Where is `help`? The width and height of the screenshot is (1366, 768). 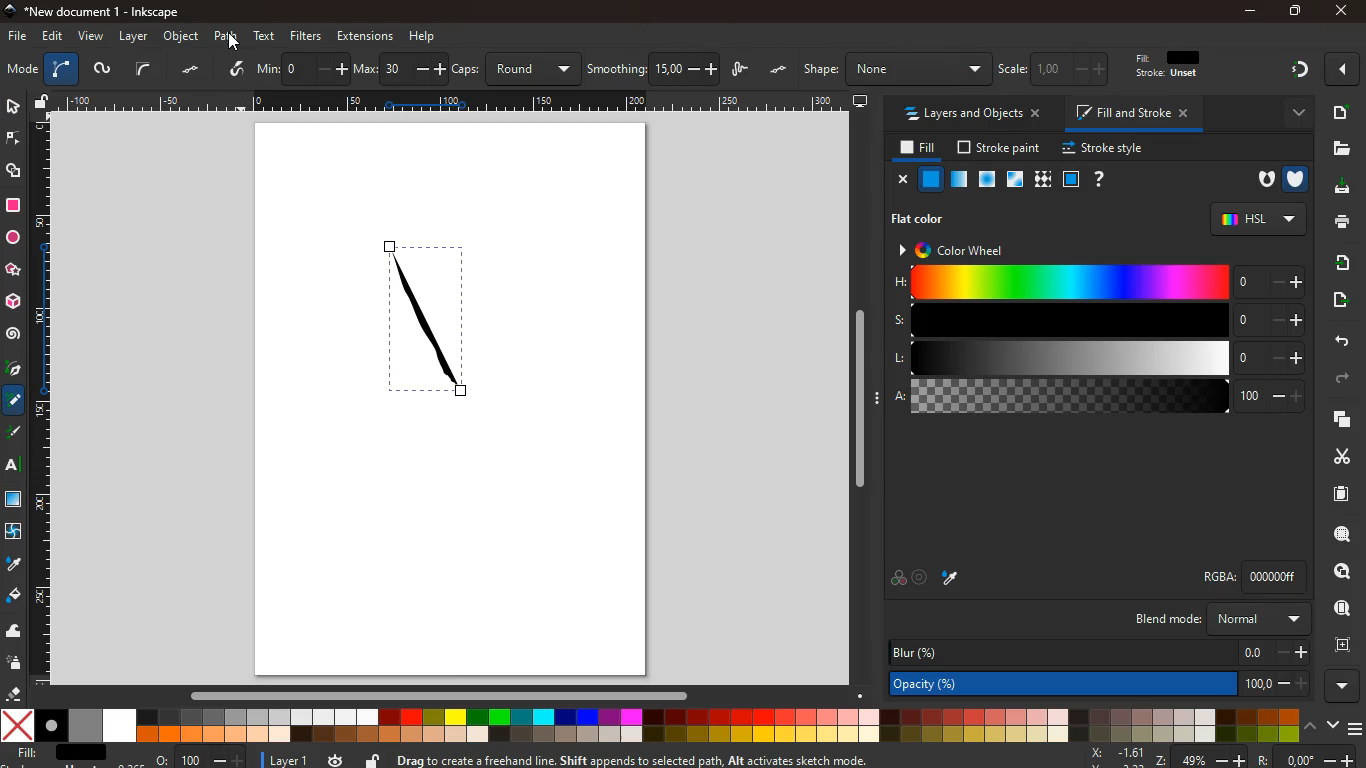
help is located at coordinates (423, 37).